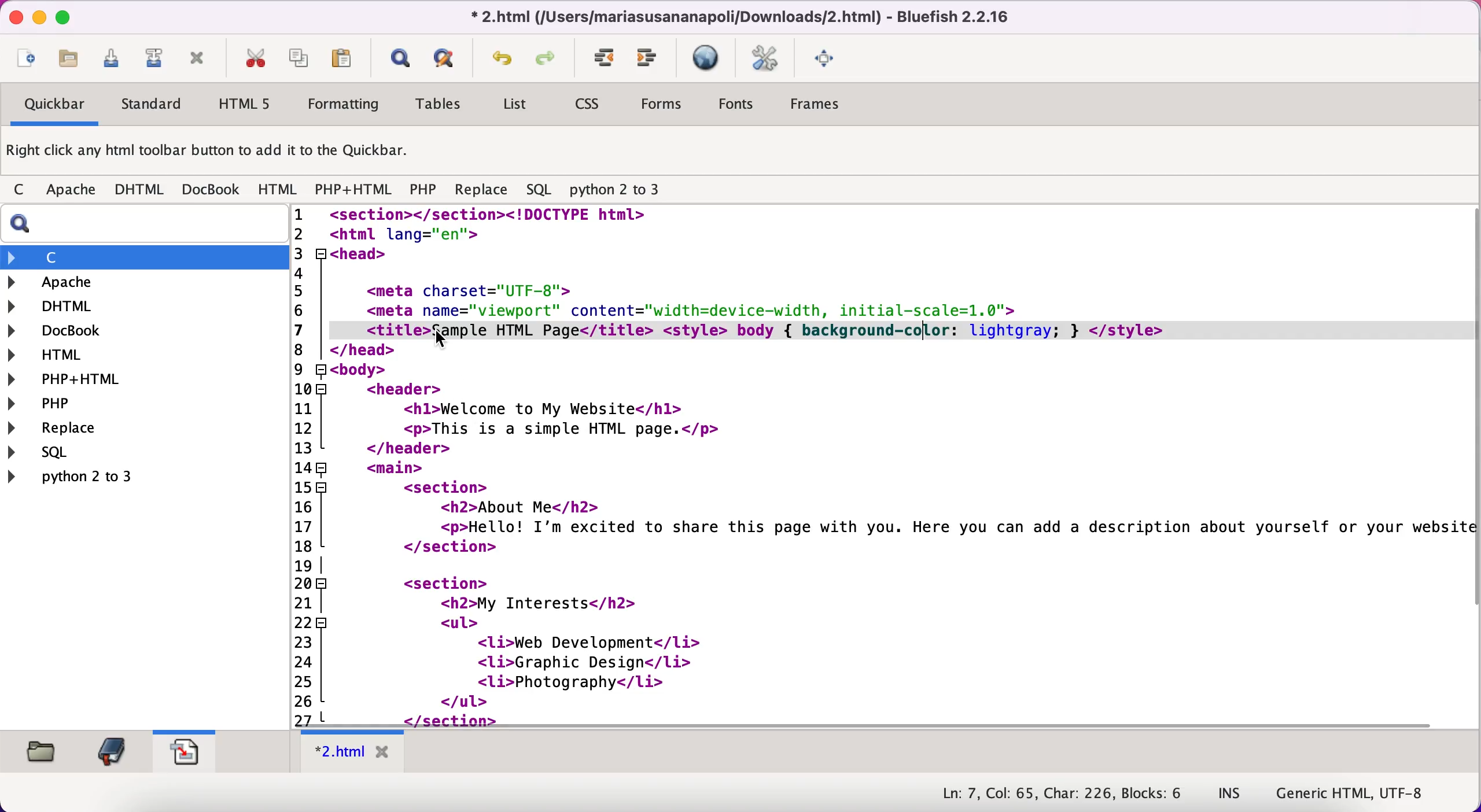 Image resolution: width=1481 pixels, height=812 pixels. What do you see at coordinates (72, 403) in the screenshot?
I see `php` at bounding box center [72, 403].